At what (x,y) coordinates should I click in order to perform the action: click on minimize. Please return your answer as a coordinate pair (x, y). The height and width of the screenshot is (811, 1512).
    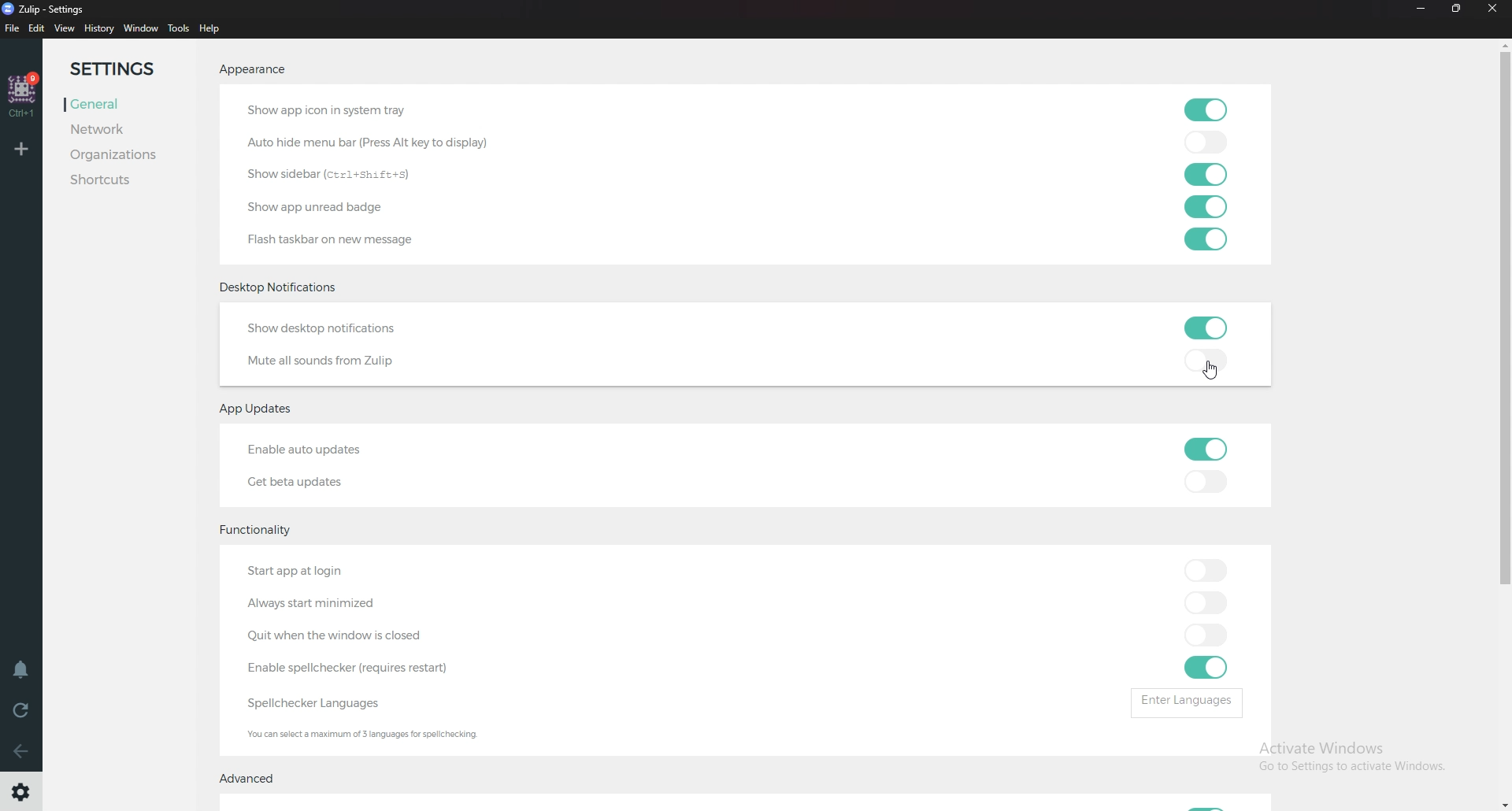
    Looking at the image, I should click on (1422, 9).